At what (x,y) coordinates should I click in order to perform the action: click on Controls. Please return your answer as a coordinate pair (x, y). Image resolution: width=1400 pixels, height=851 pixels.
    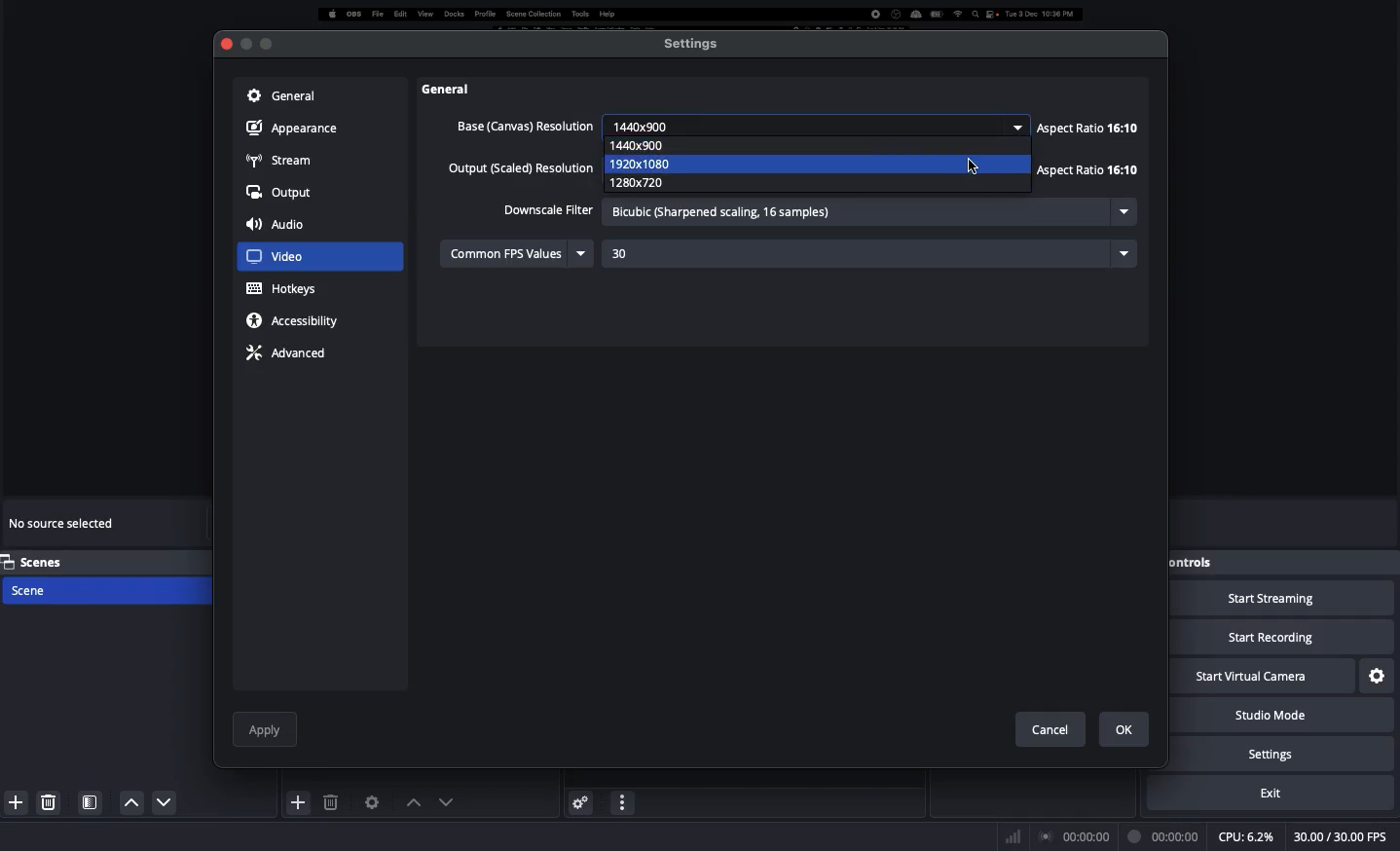
    Looking at the image, I should click on (1195, 562).